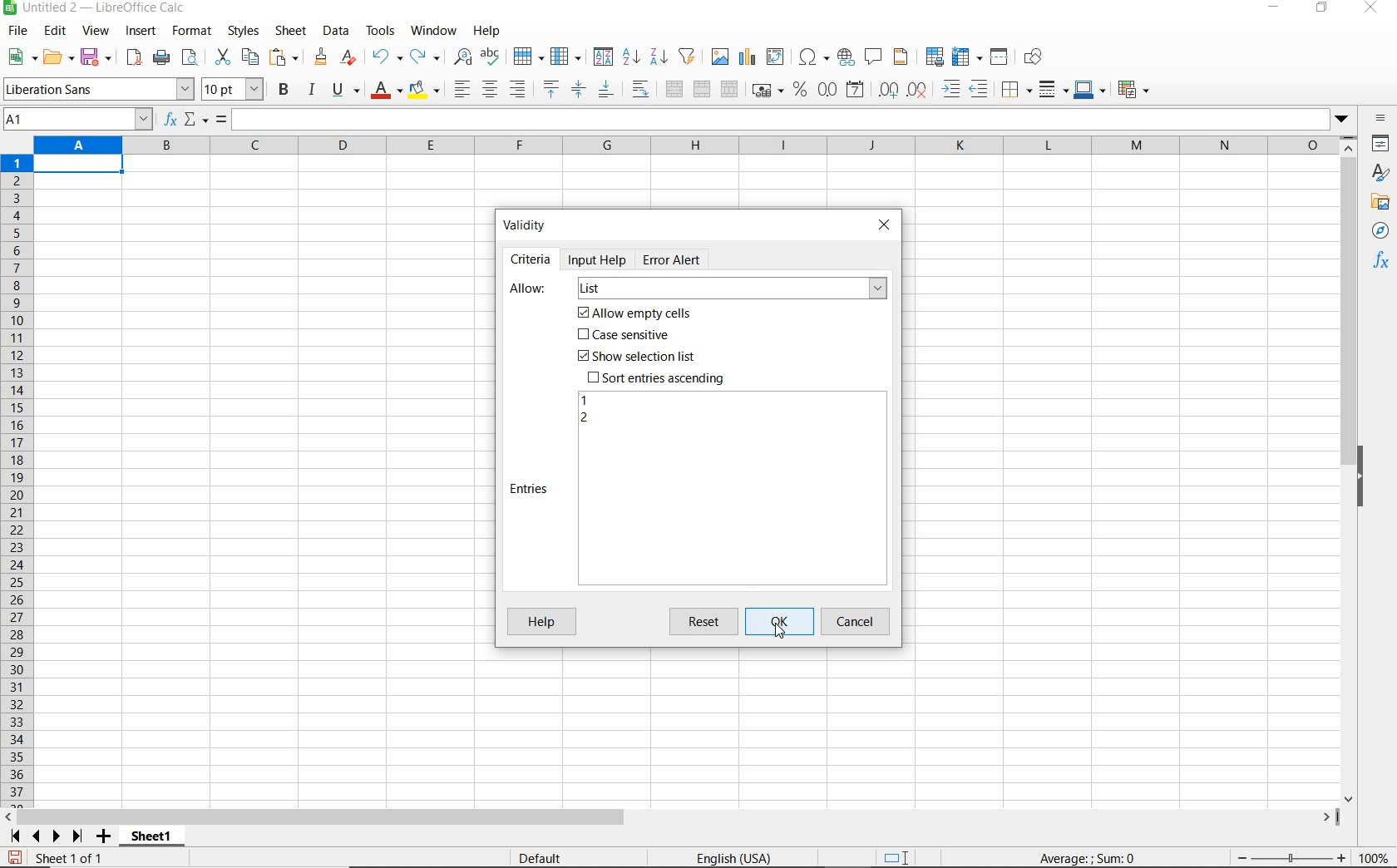 This screenshot has height=868, width=1397. What do you see at coordinates (748, 57) in the screenshot?
I see `insert chart` at bounding box center [748, 57].